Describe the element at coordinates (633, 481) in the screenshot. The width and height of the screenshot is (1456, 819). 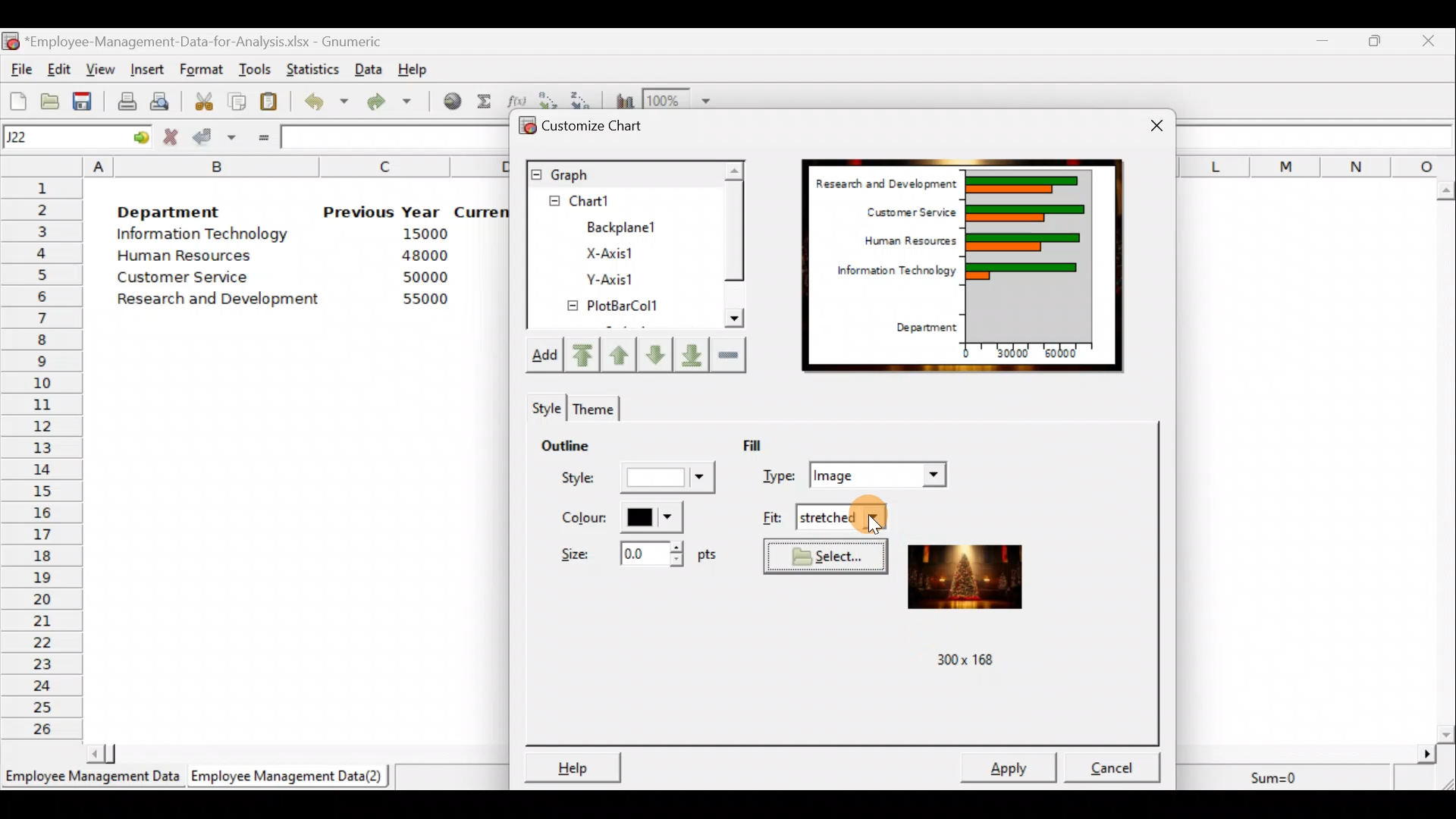
I see `Style` at that location.